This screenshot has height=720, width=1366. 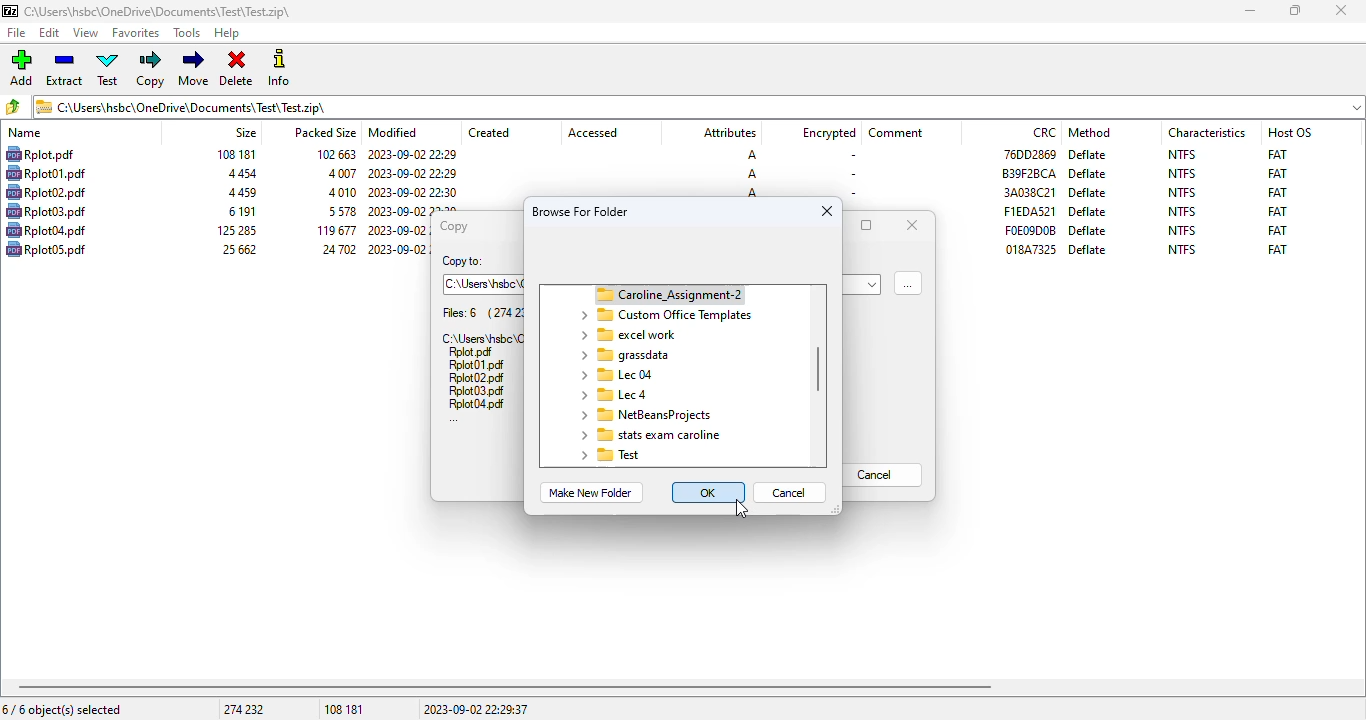 I want to click on attributes, so click(x=728, y=133).